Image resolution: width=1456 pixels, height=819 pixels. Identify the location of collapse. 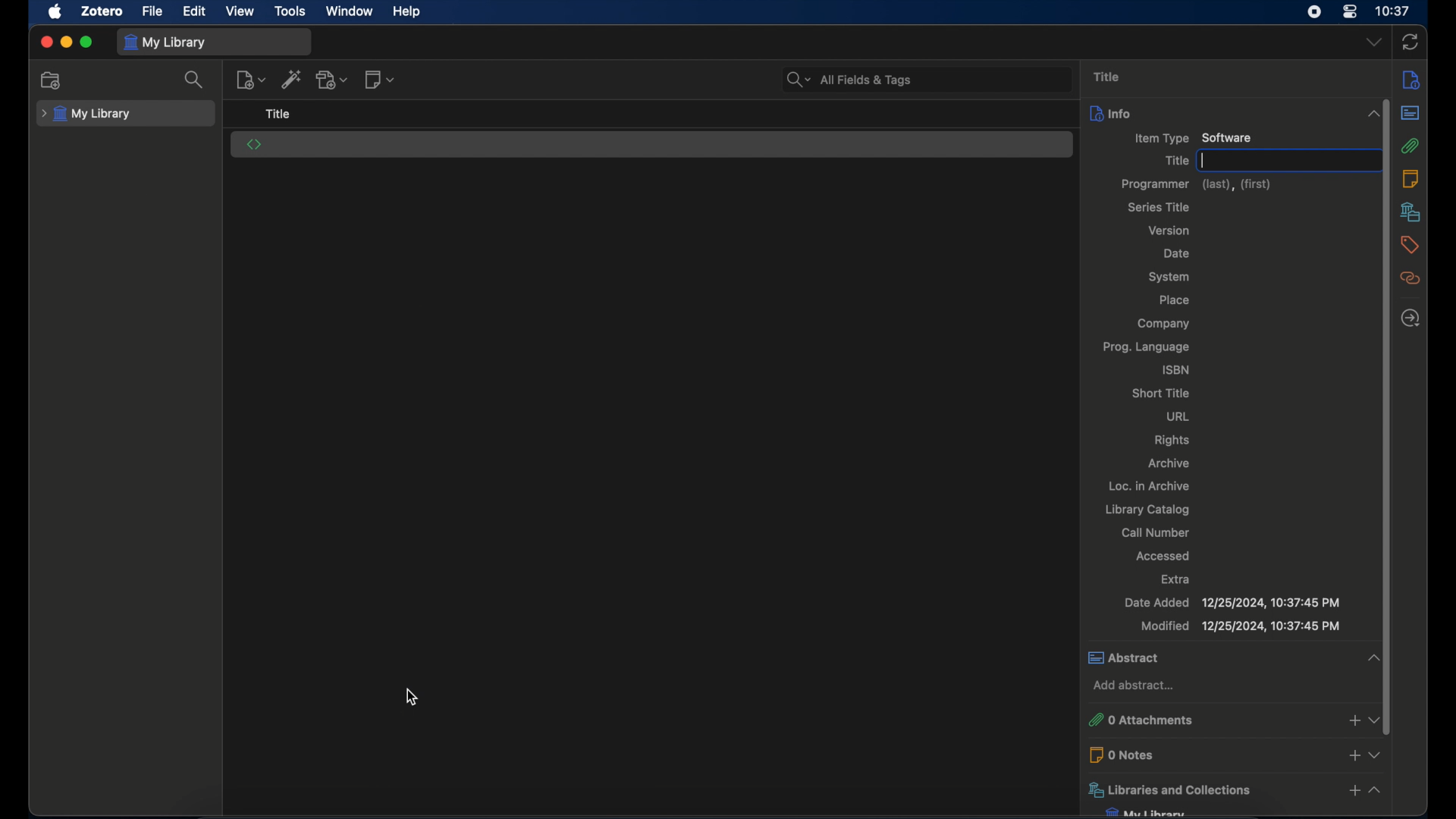
(1370, 656).